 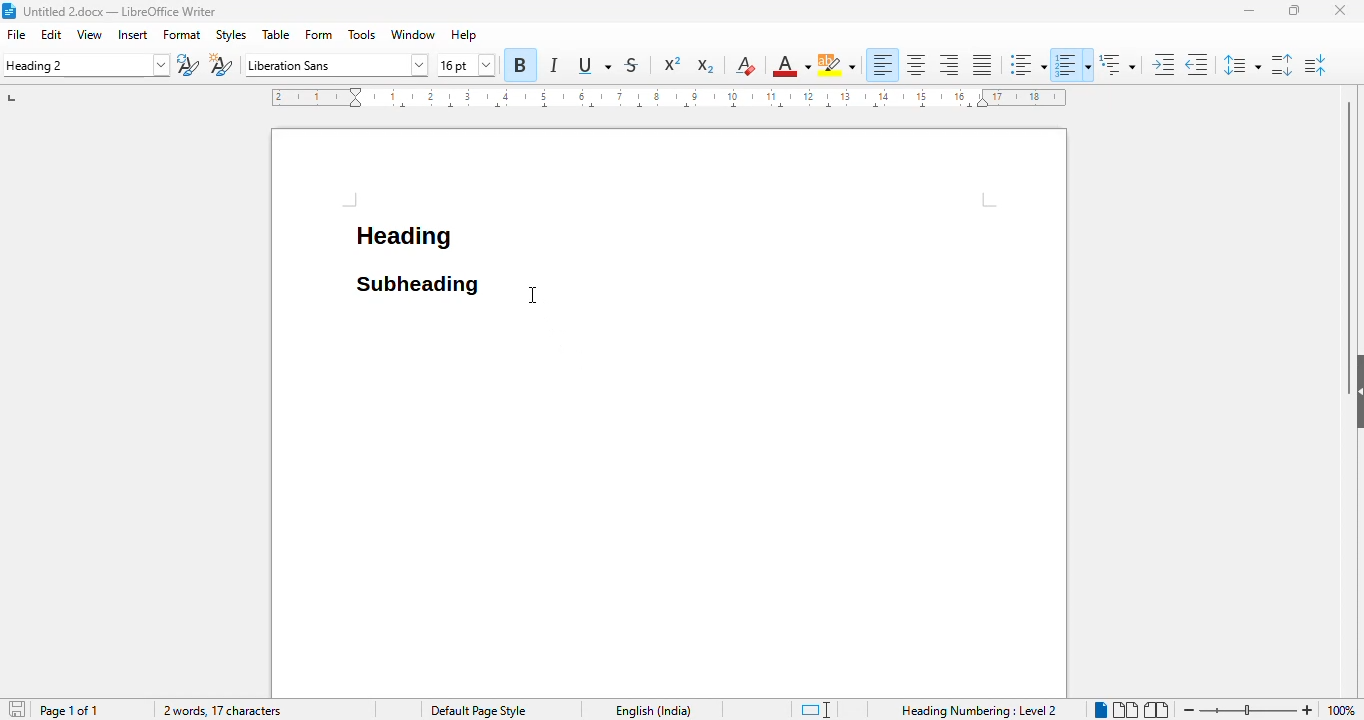 What do you see at coordinates (220, 65) in the screenshot?
I see `new style from selection` at bounding box center [220, 65].